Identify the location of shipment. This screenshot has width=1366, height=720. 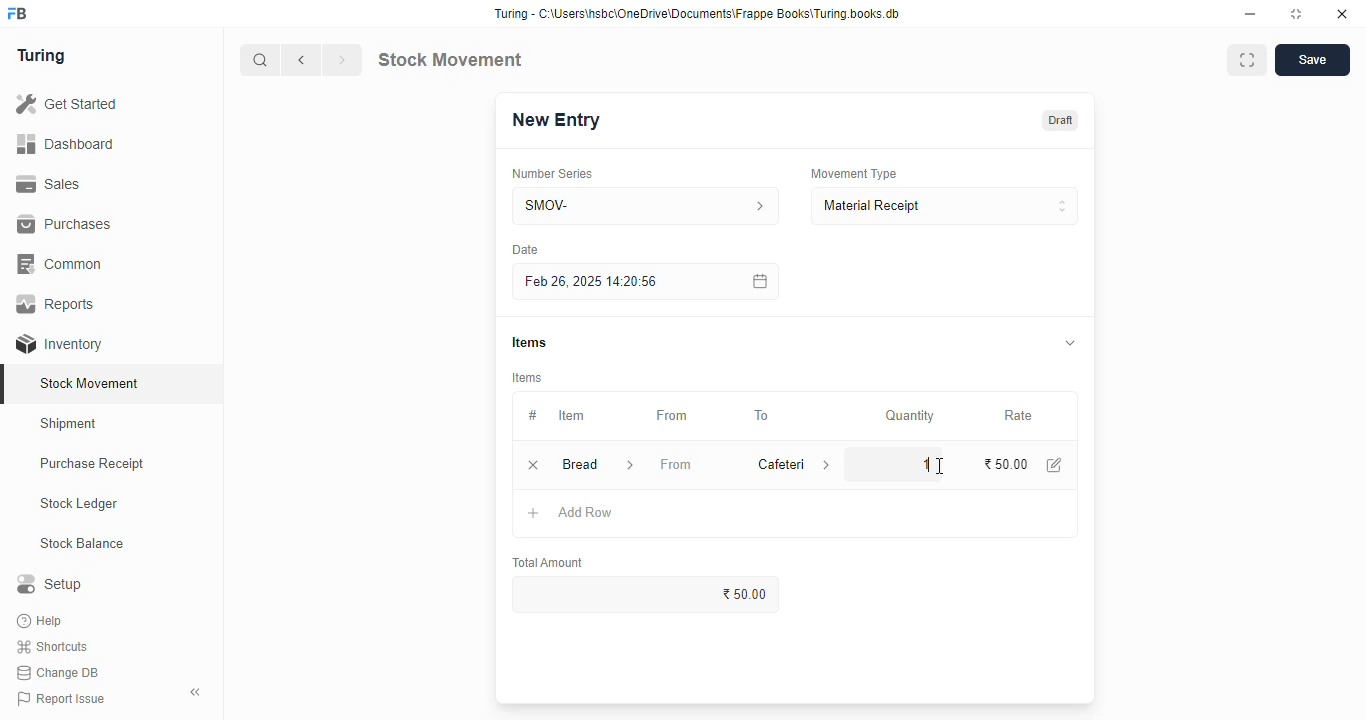
(69, 424).